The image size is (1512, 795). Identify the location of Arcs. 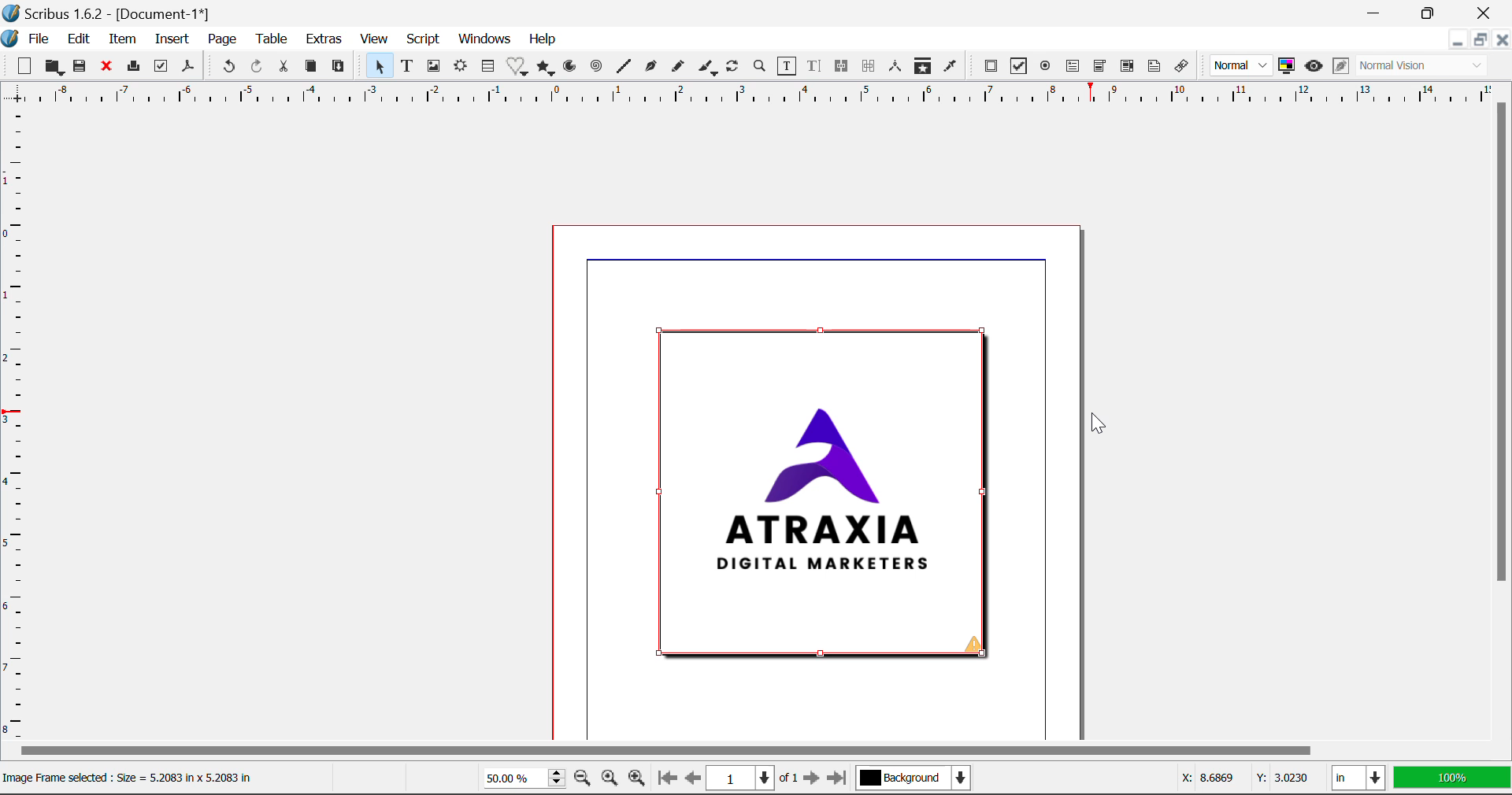
(568, 70).